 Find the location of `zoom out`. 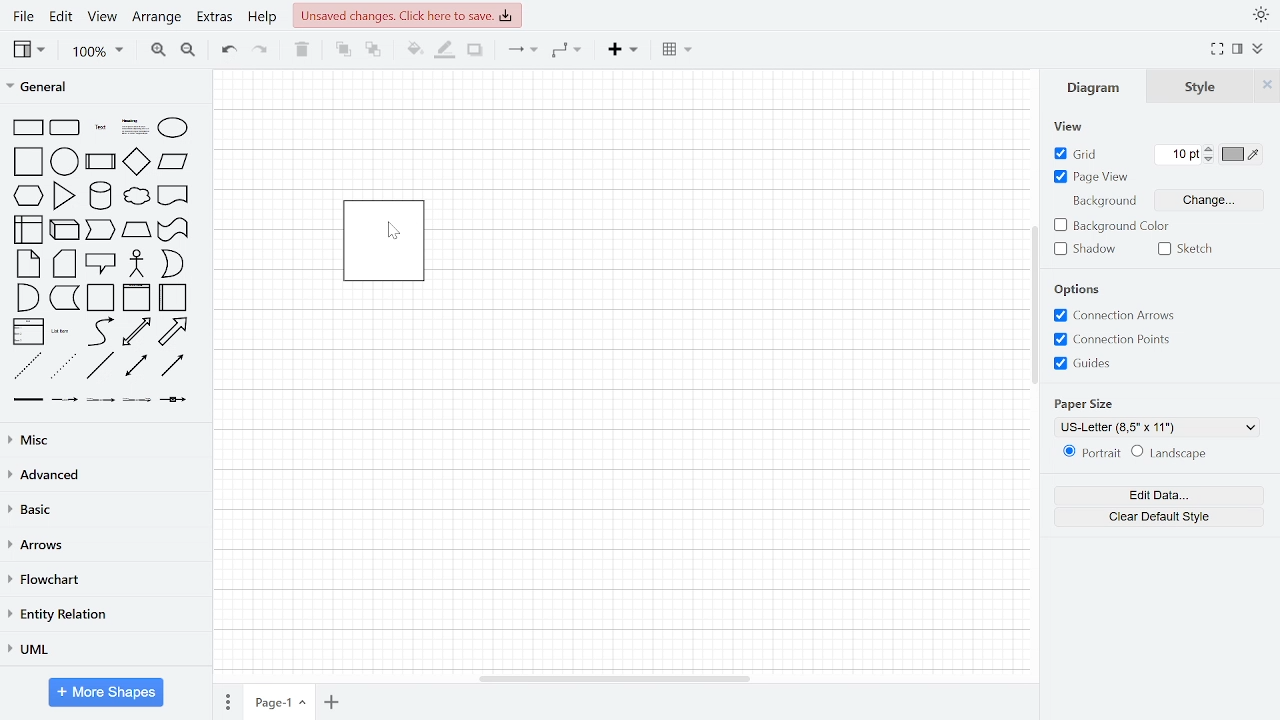

zoom out is located at coordinates (187, 49).